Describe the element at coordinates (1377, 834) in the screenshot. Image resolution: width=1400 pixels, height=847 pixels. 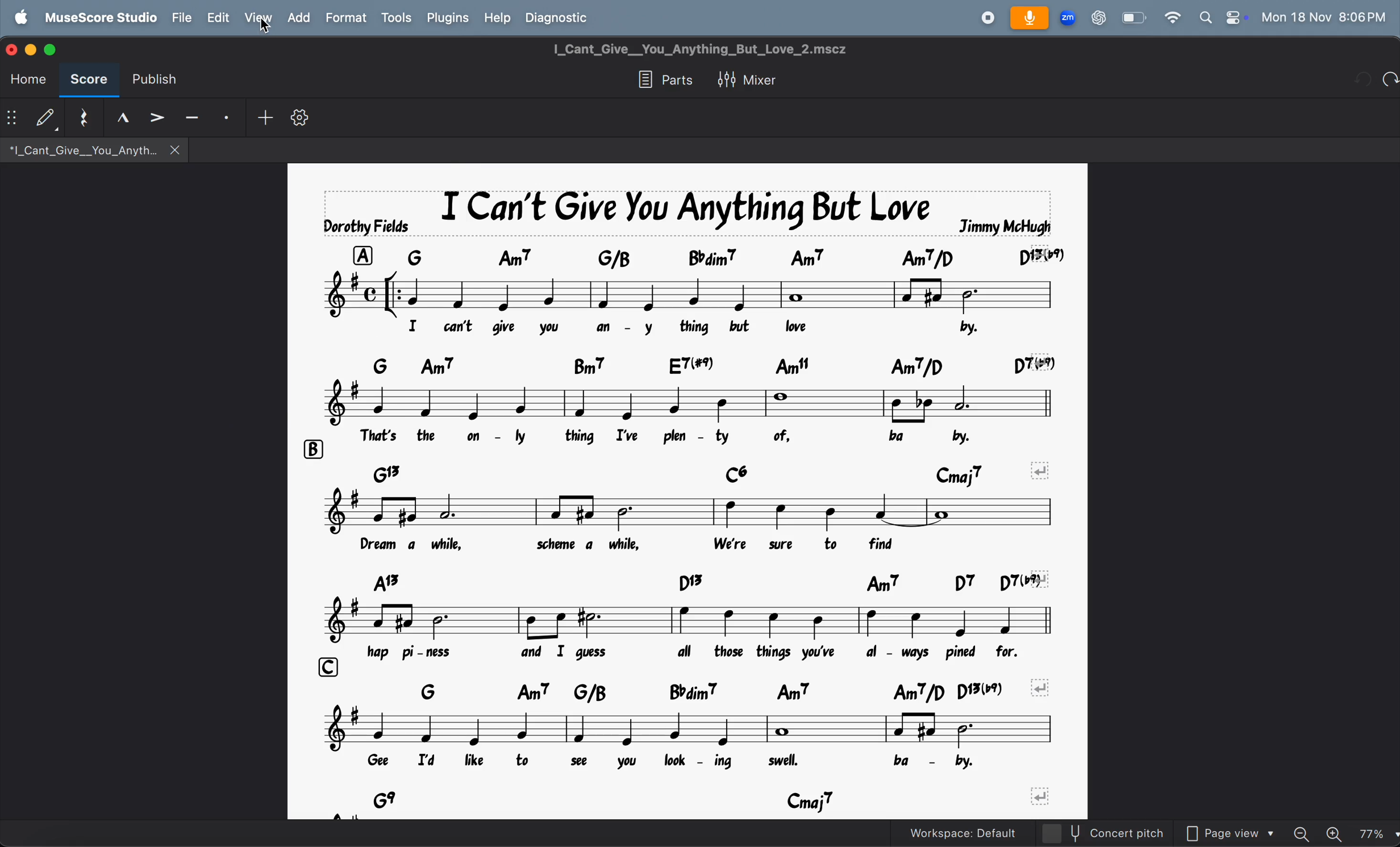
I see `page zoom level` at that location.